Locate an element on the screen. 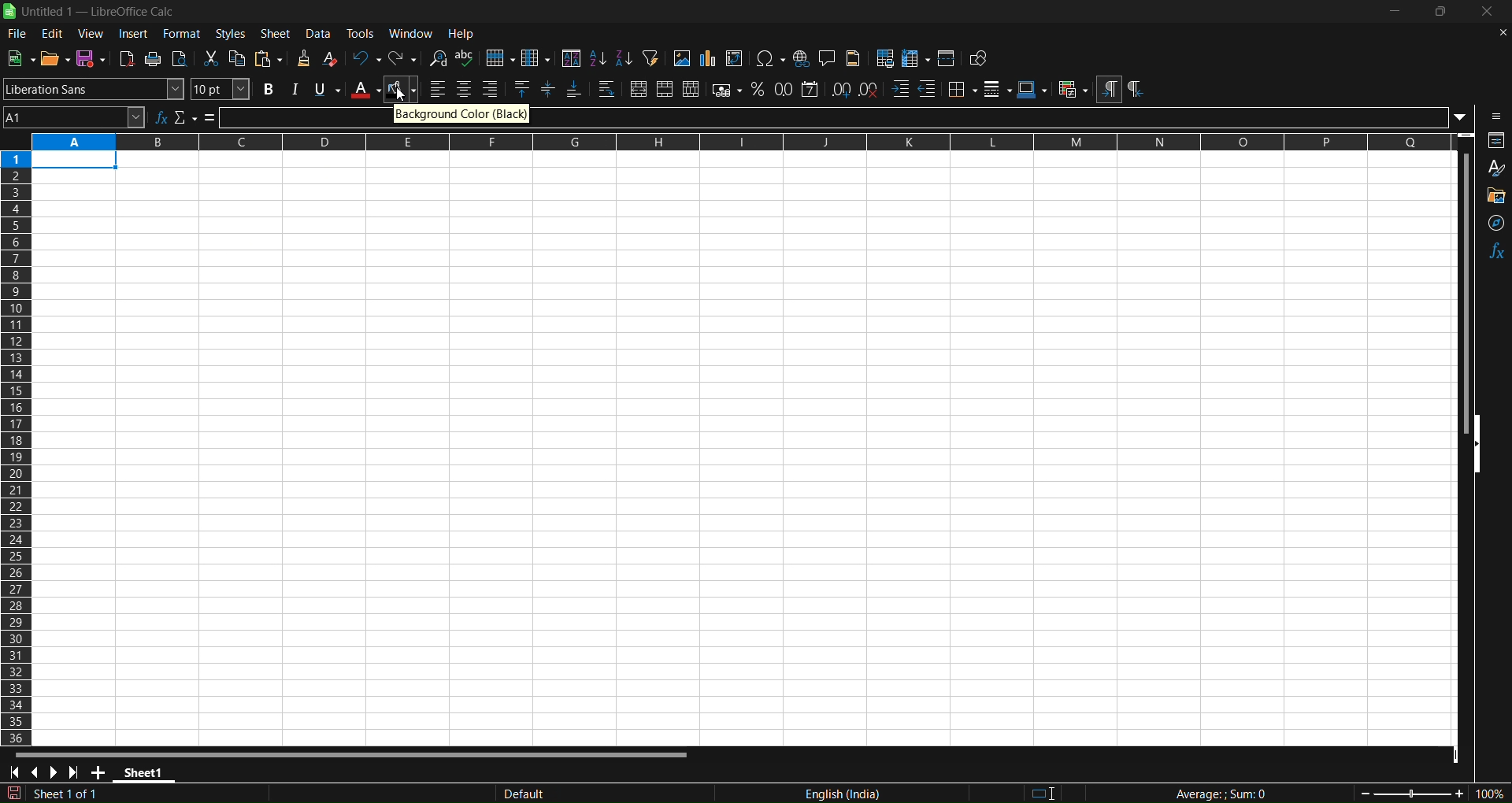  rows is located at coordinates (723, 138).